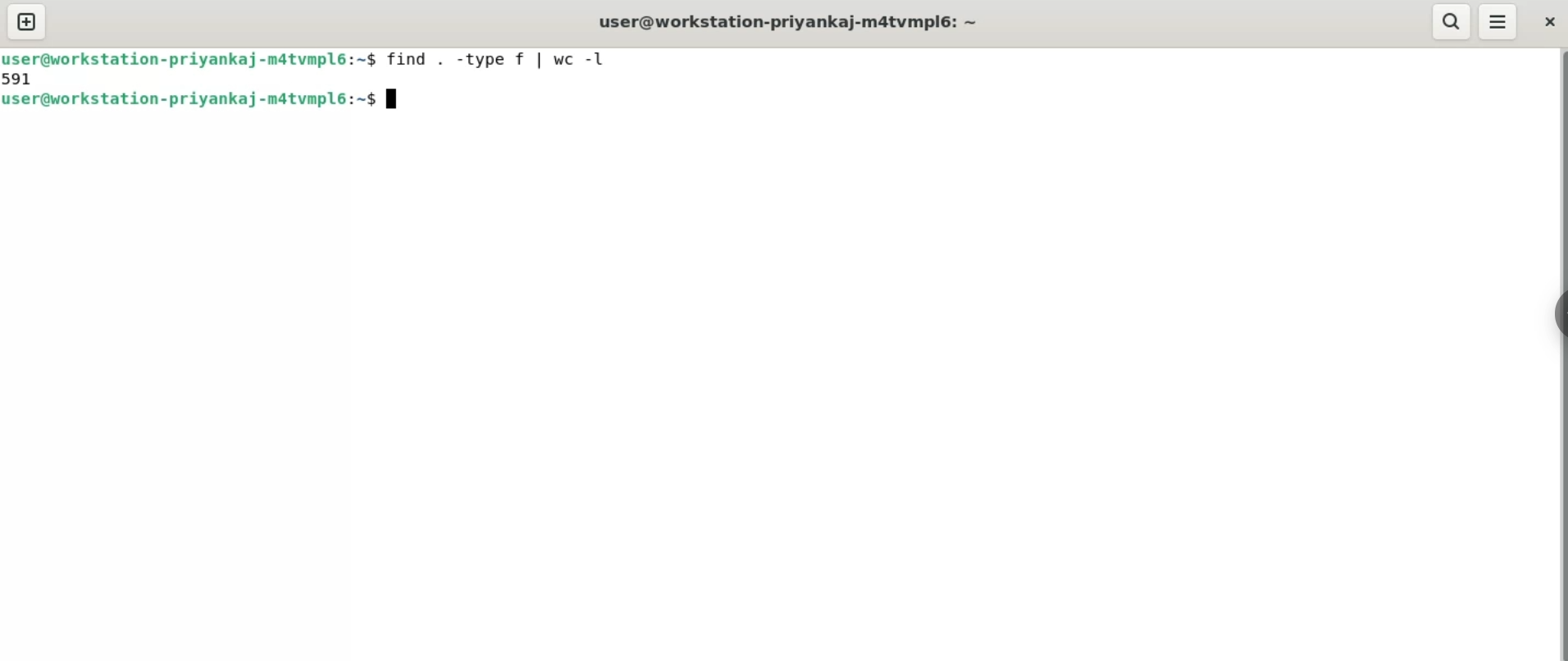 Image resolution: width=1568 pixels, height=661 pixels. Describe the element at coordinates (1450, 21) in the screenshot. I see `search` at that location.